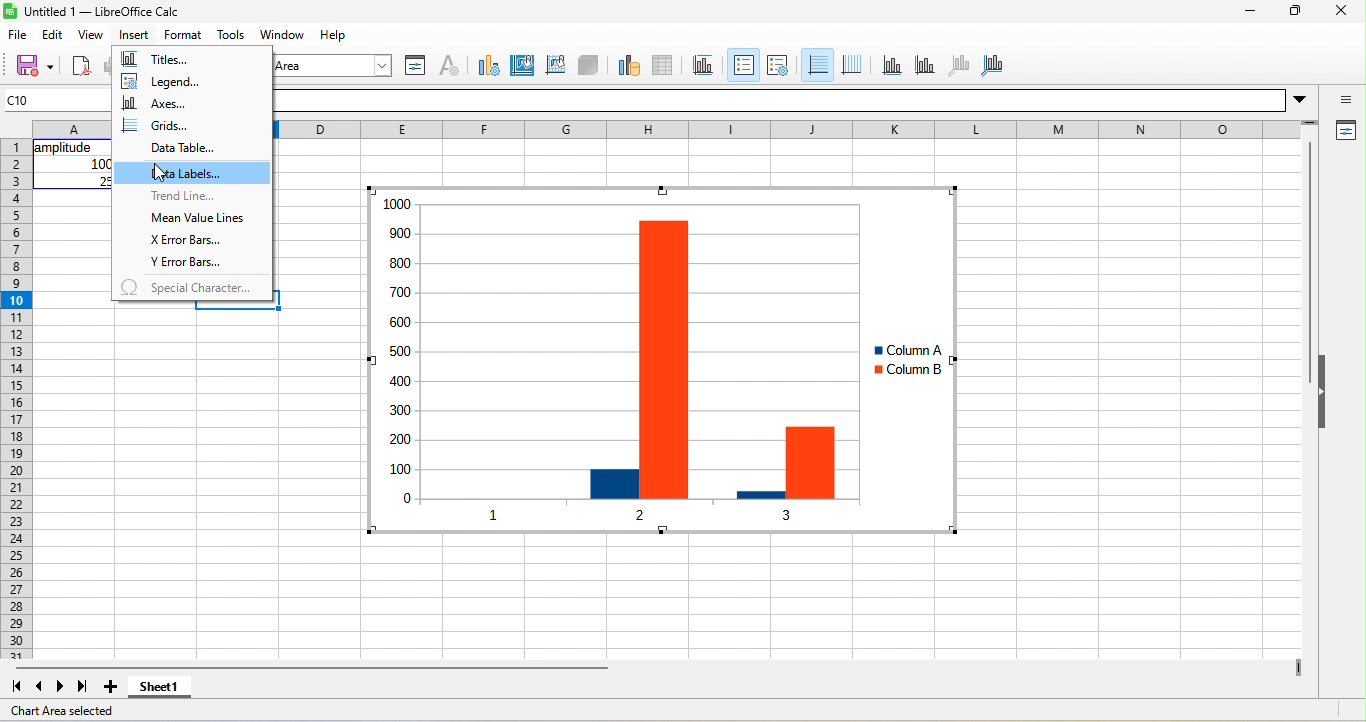 This screenshot has width=1366, height=722. Describe the element at coordinates (448, 65) in the screenshot. I see `character` at that location.